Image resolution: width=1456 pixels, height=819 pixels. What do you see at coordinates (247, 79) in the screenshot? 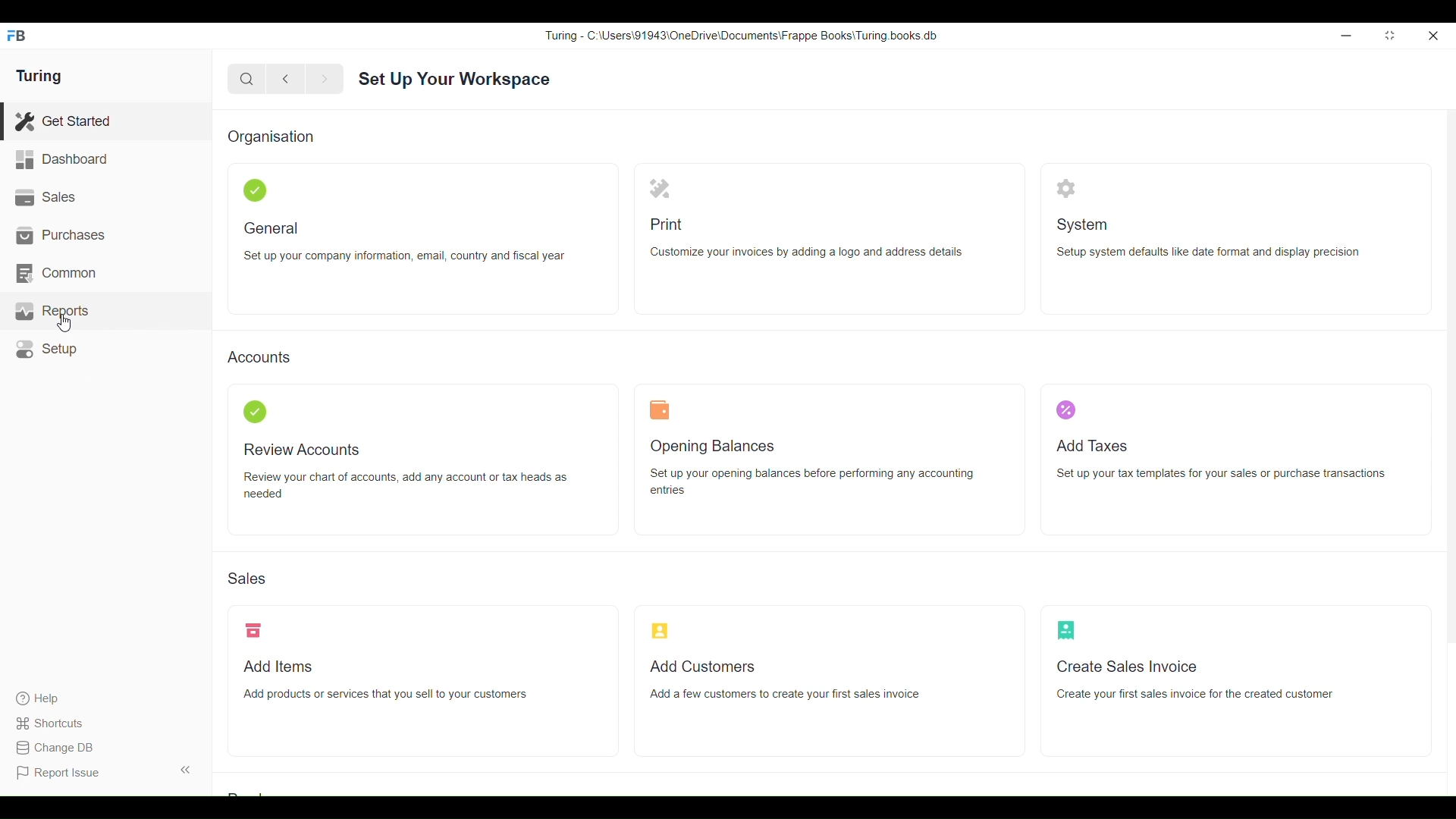
I see `Search` at bounding box center [247, 79].